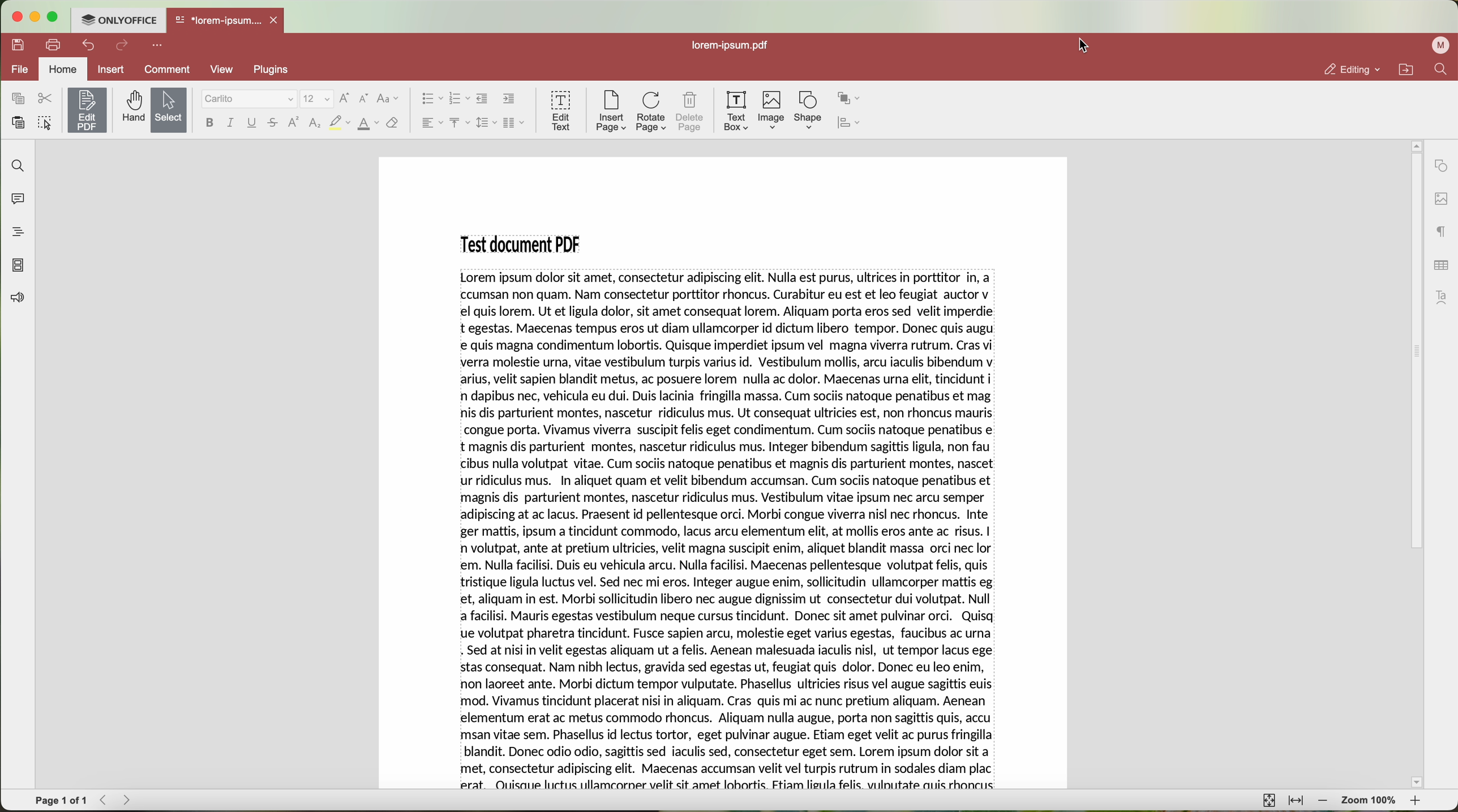  Describe the element at coordinates (53, 44) in the screenshot. I see `print` at that location.